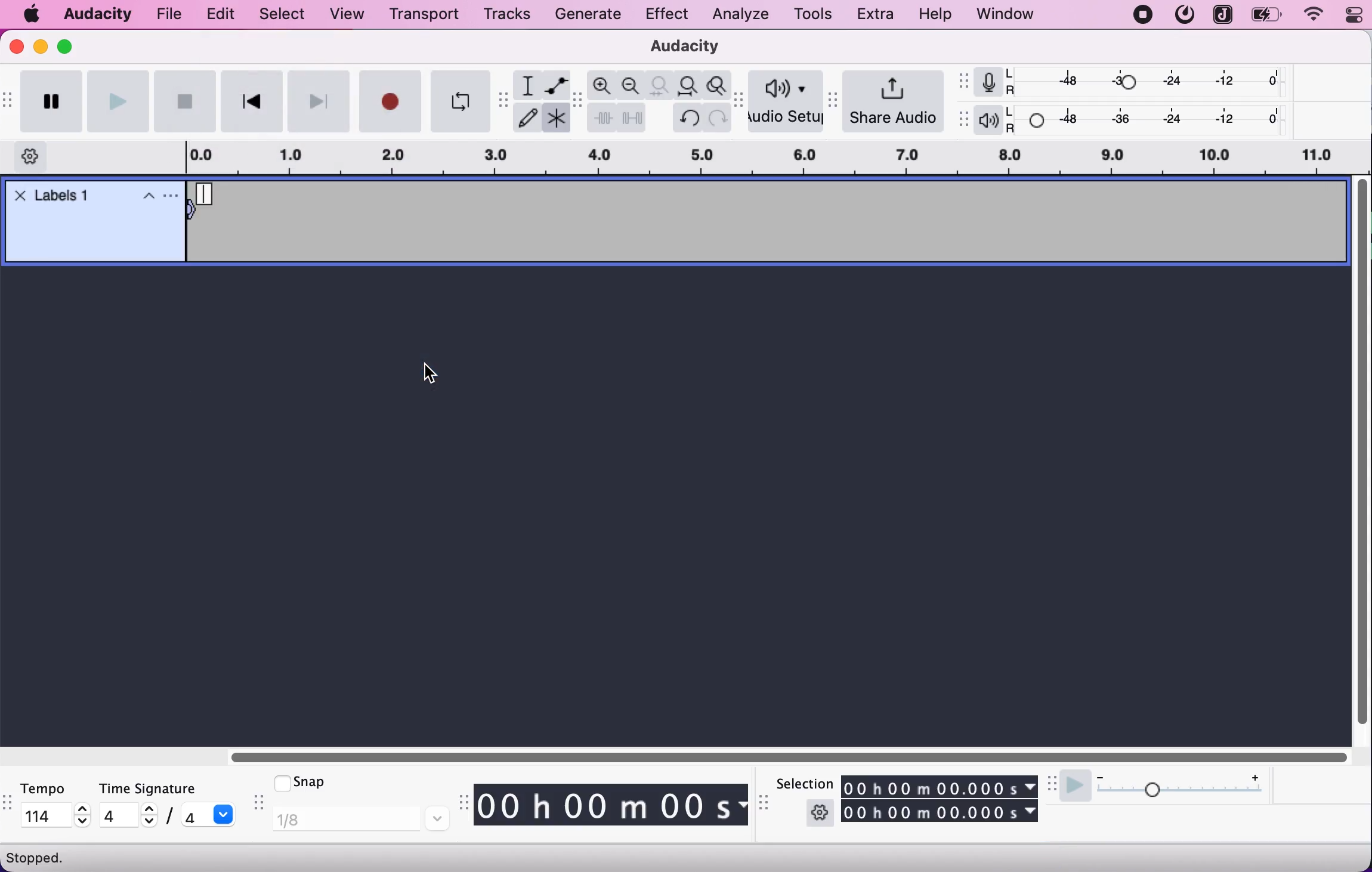 The height and width of the screenshot is (872, 1372). What do you see at coordinates (578, 101) in the screenshot?
I see `audacity edit tool bar` at bounding box center [578, 101].